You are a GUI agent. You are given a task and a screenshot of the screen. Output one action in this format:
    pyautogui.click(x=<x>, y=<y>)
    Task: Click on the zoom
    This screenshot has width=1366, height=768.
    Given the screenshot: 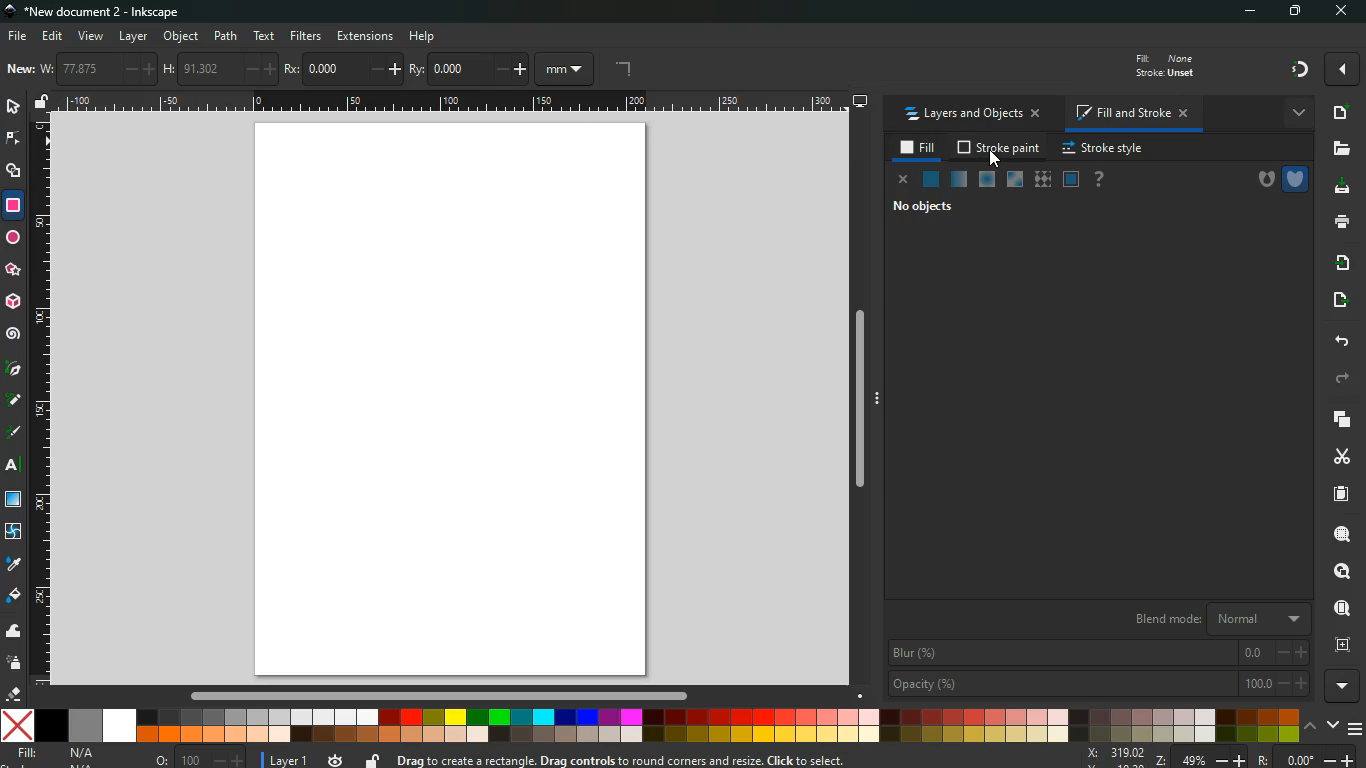 What is the action you would take?
    pyautogui.click(x=1213, y=757)
    